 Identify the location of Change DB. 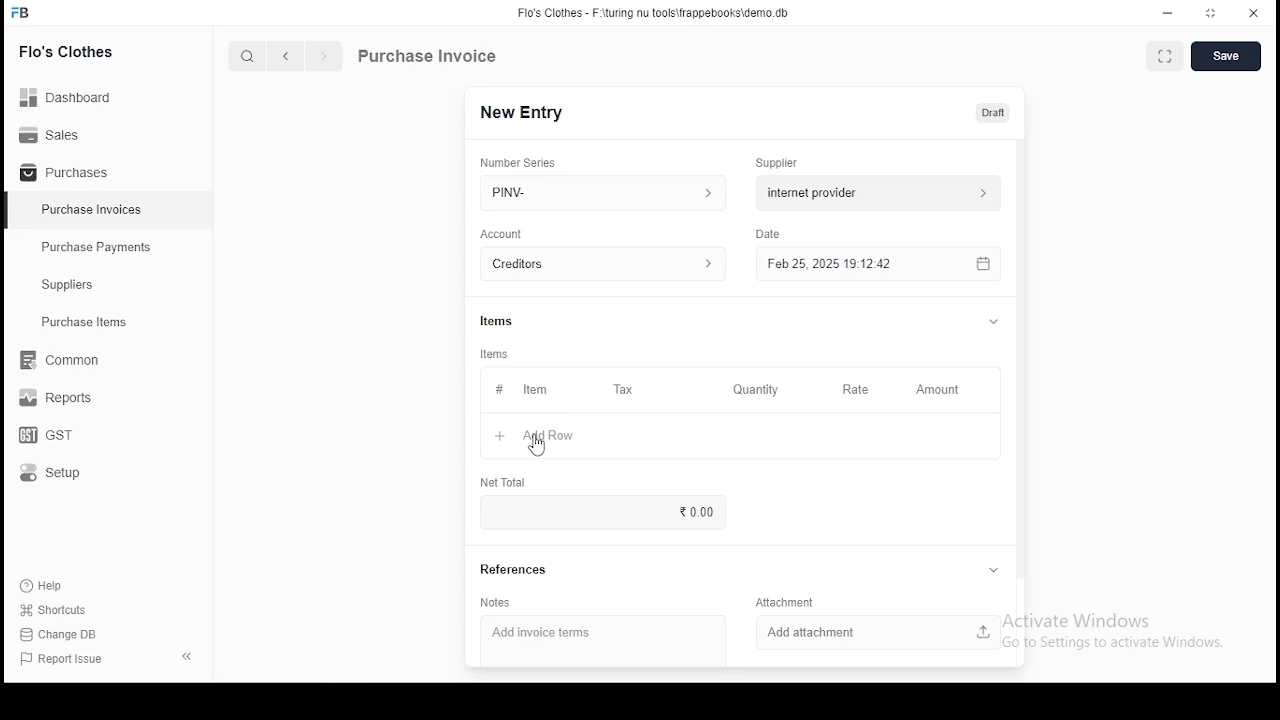
(65, 635).